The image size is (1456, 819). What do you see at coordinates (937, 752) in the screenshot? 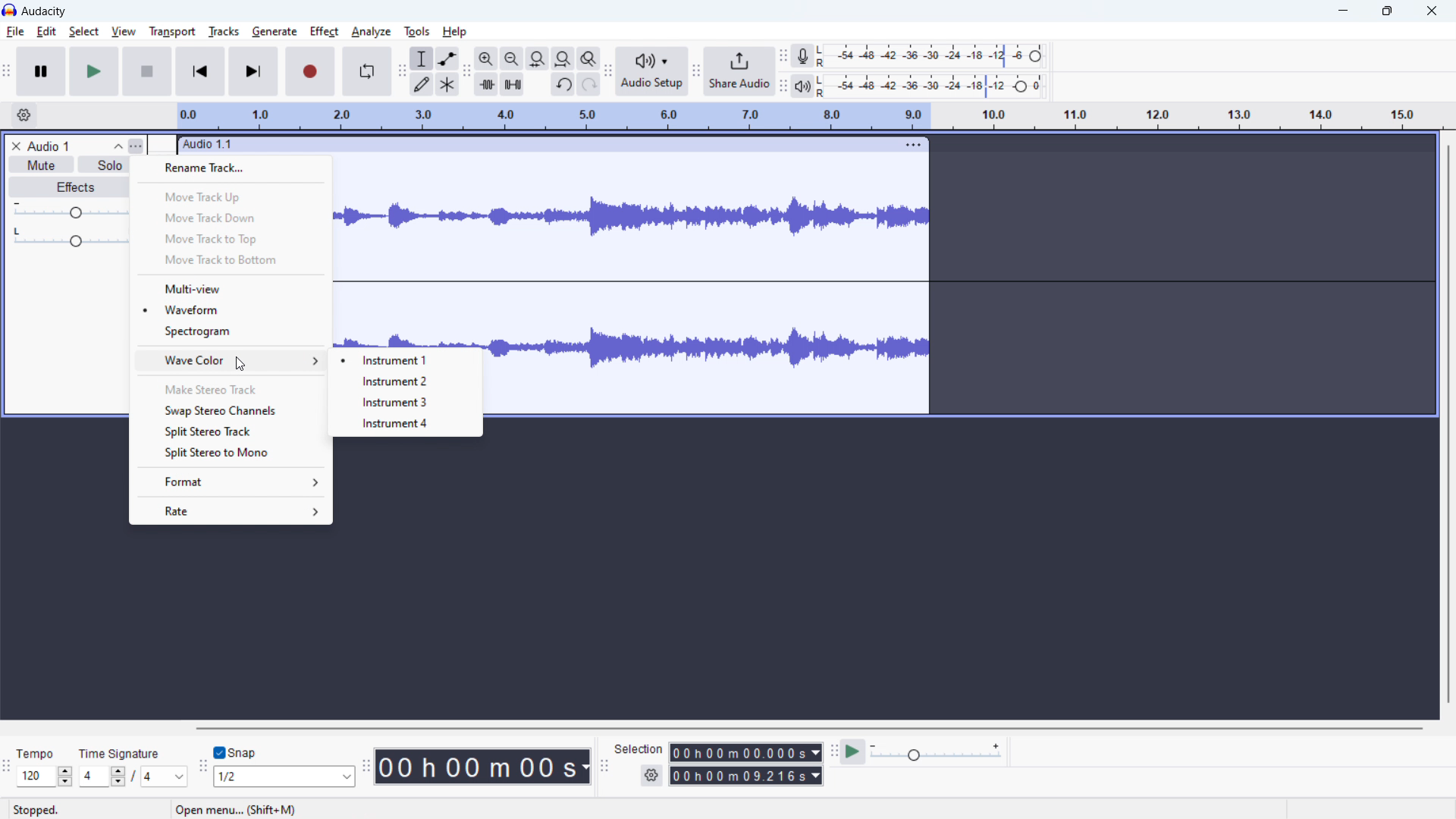
I see `playback speed` at bounding box center [937, 752].